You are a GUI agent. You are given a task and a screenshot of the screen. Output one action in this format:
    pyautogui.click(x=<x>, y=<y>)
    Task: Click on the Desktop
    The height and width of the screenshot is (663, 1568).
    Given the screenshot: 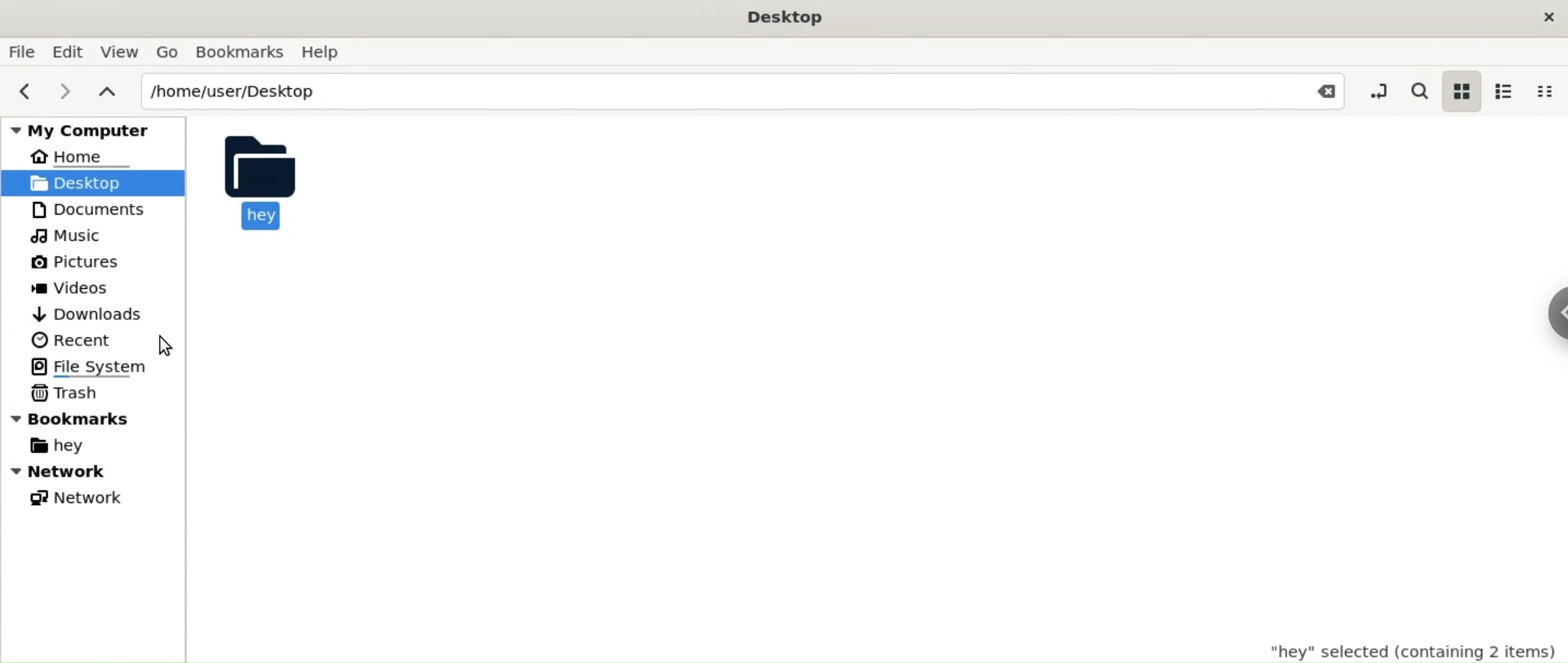 What is the action you would take?
    pyautogui.click(x=794, y=20)
    